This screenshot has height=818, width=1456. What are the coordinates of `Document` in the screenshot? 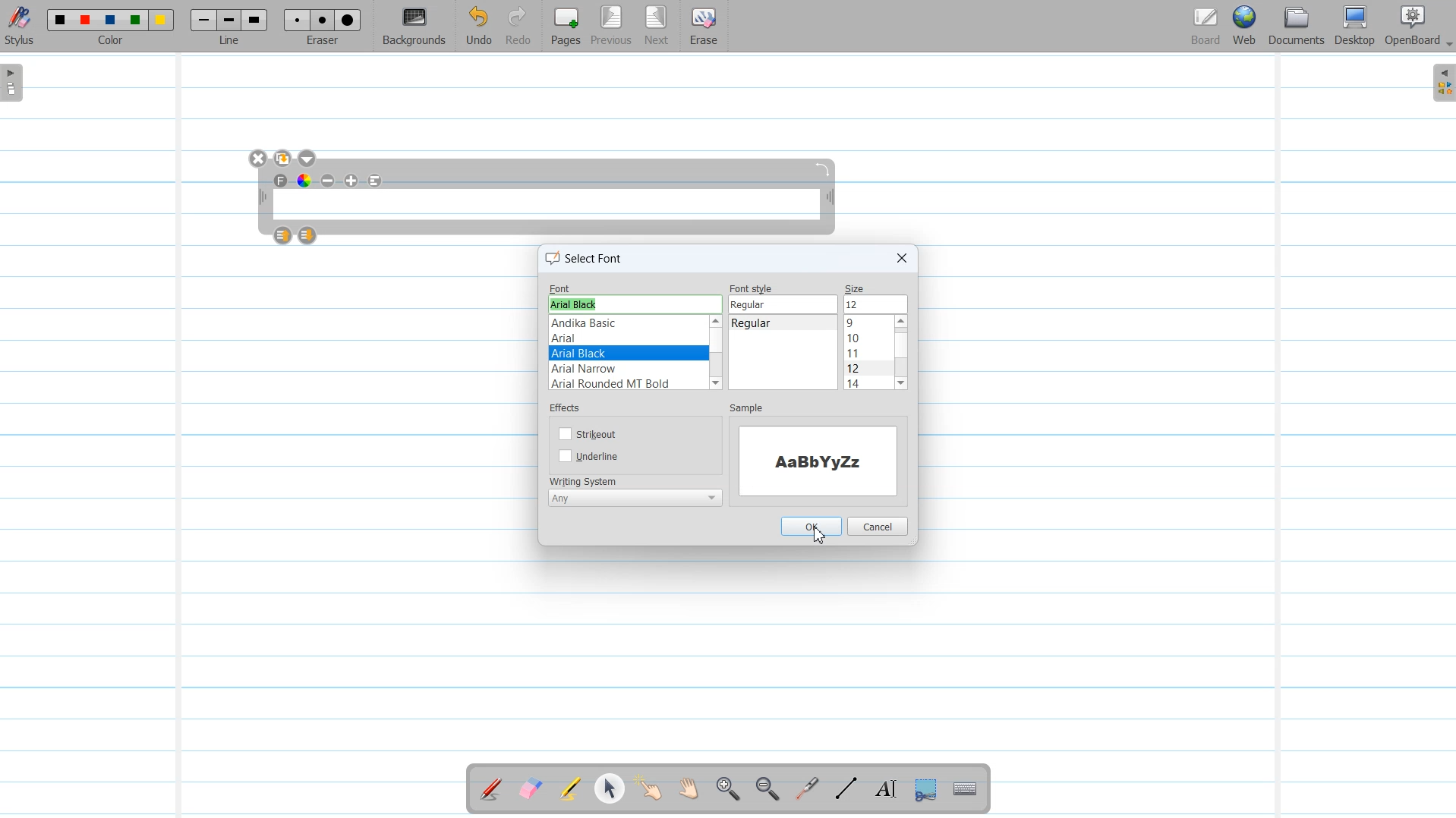 It's located at (1298, 26).